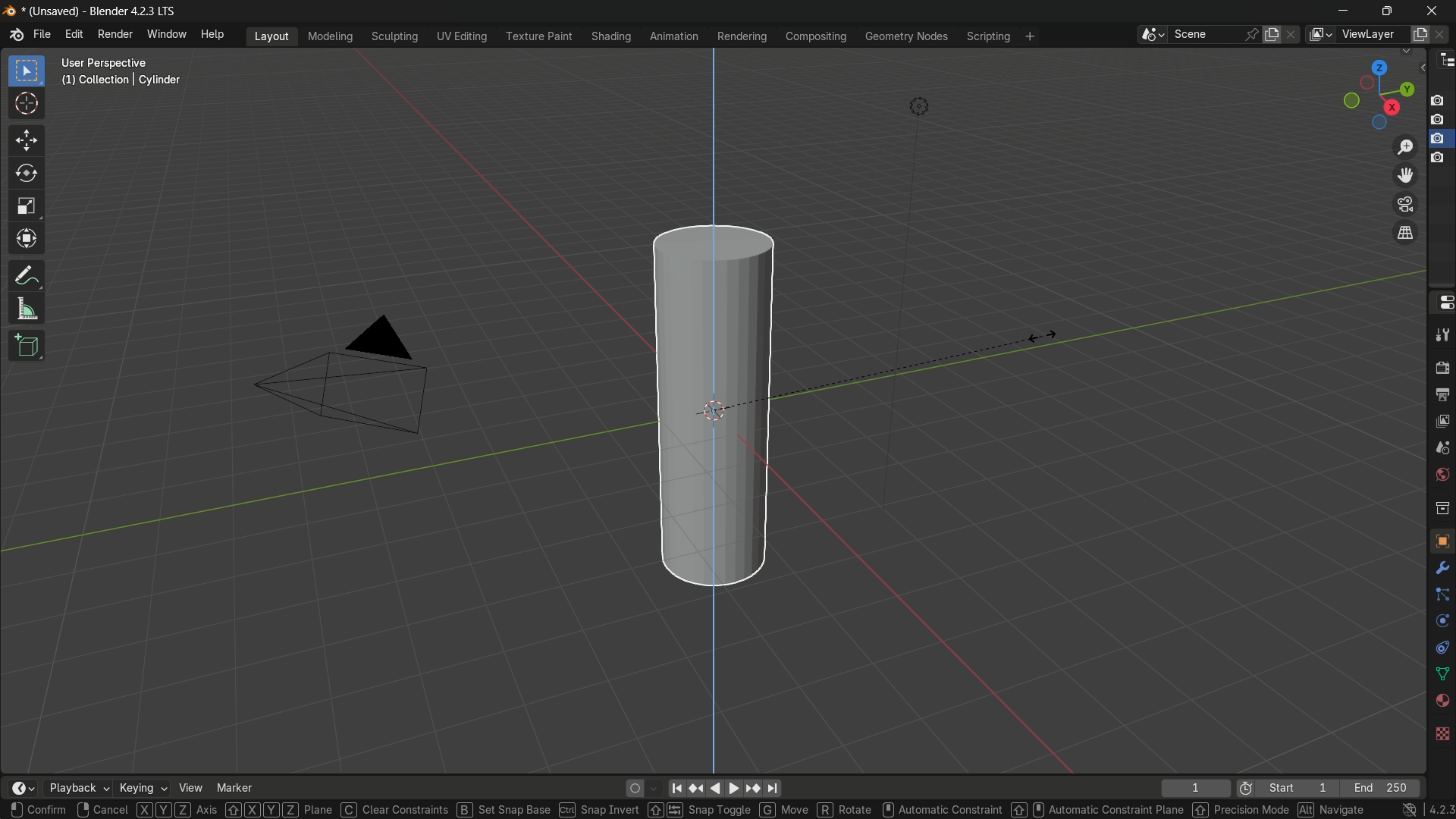 Image resolution: width=1456 pixels, height=819 pixels. I want to click on view layer, so click(1441, 422).